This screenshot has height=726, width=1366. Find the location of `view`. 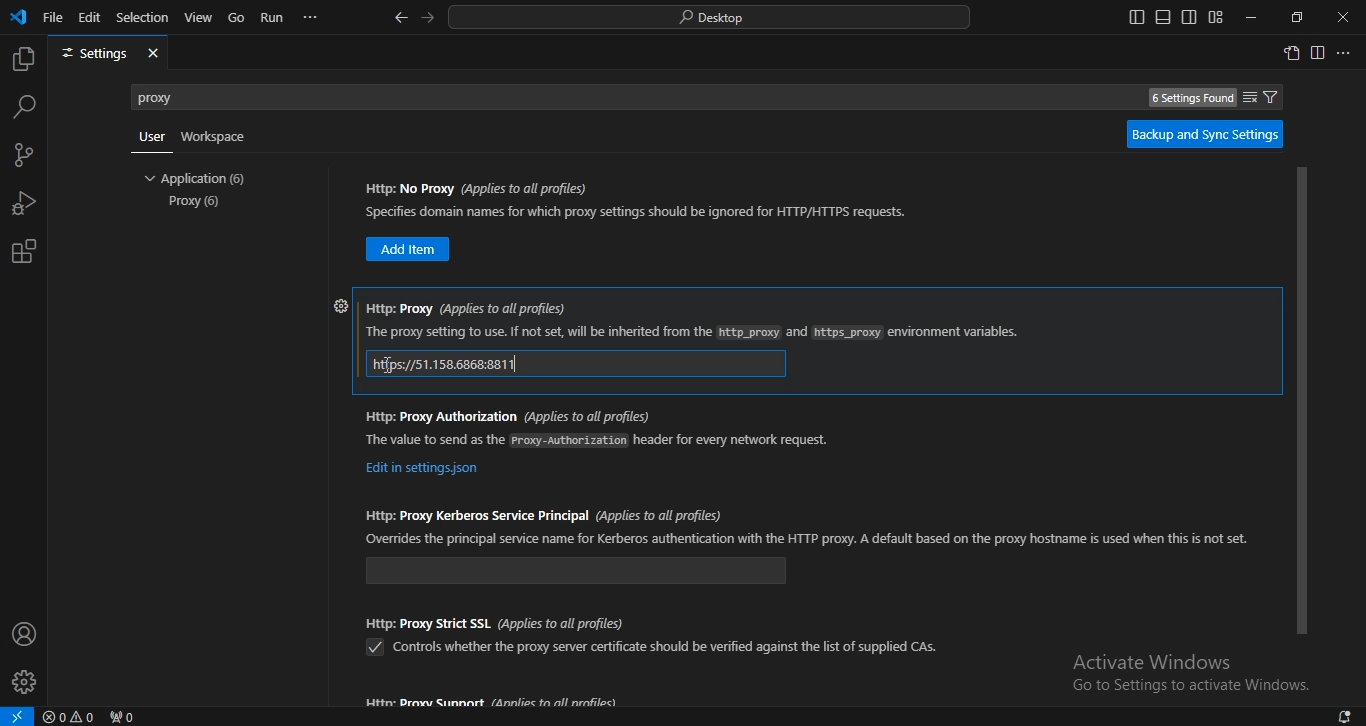

view is located at coordinates (198, 16).